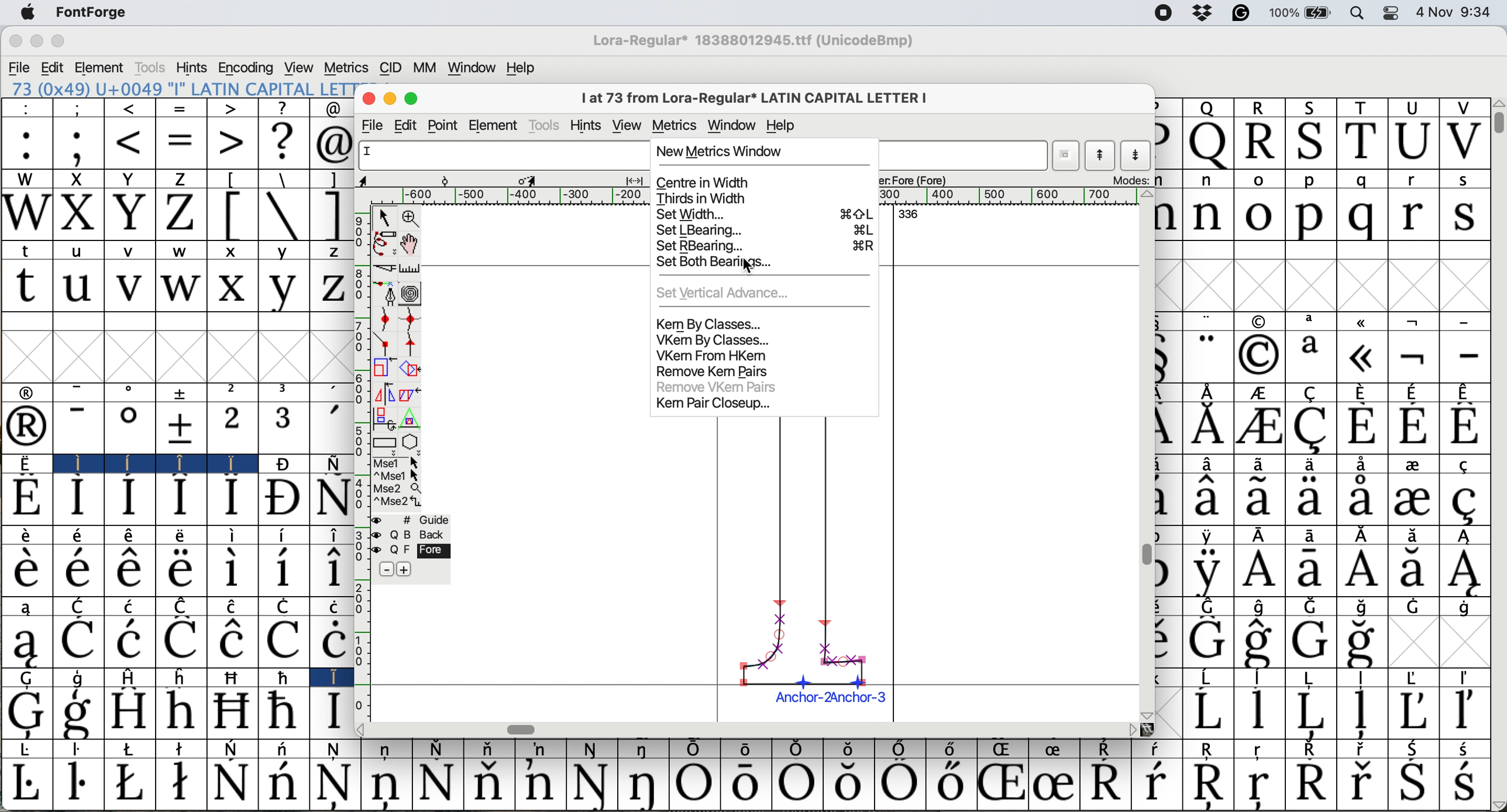 This screenshot has width=1507, height=812. Describe the element at coordinates (185, 253) in the screenshot. I see `w` at that location.